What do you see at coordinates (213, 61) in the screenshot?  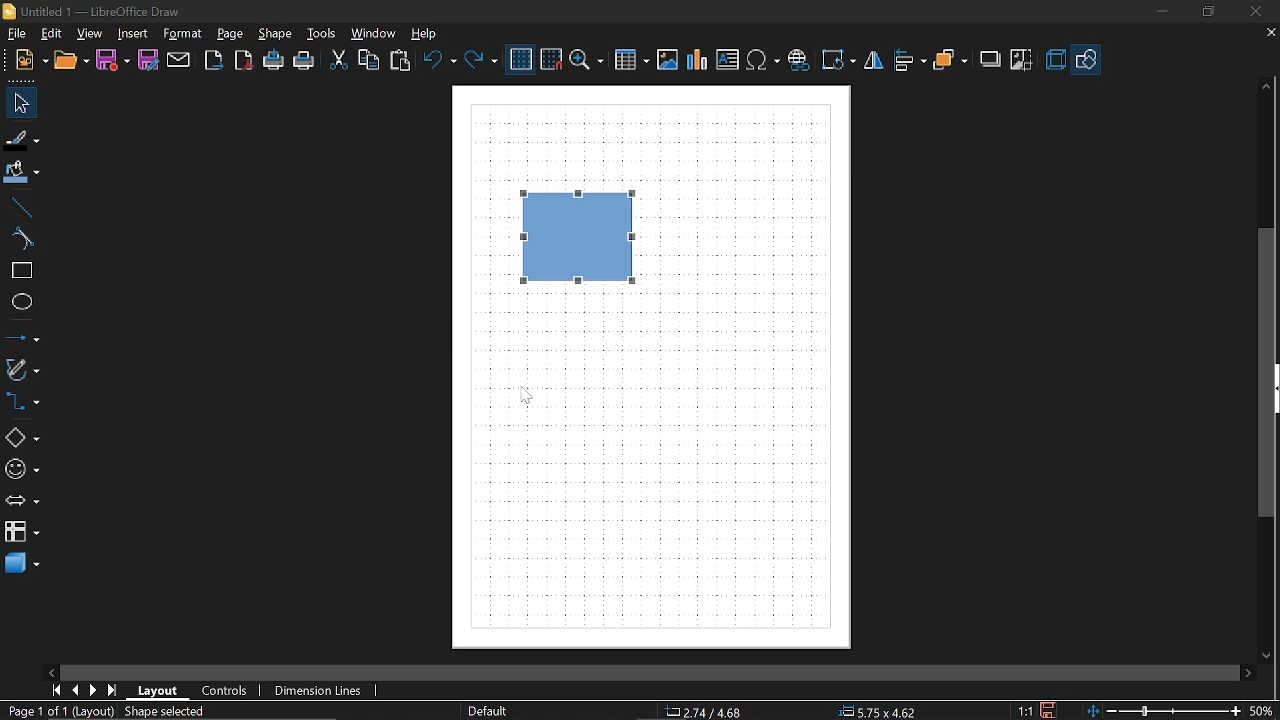 I see `Export` at bounding box center [213, 61].